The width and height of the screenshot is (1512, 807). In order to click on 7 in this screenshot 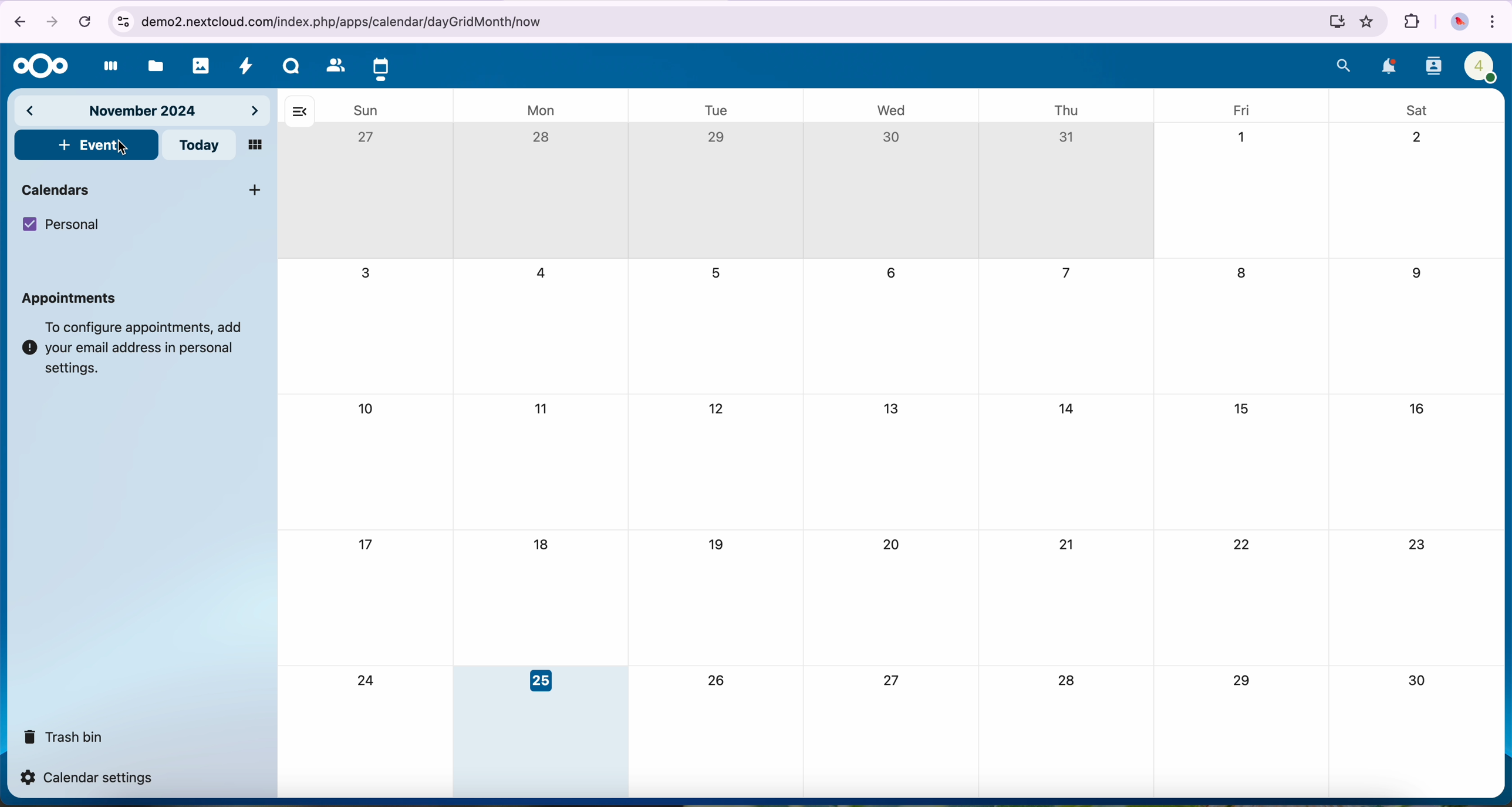, I will do `click(1065, 274)`.